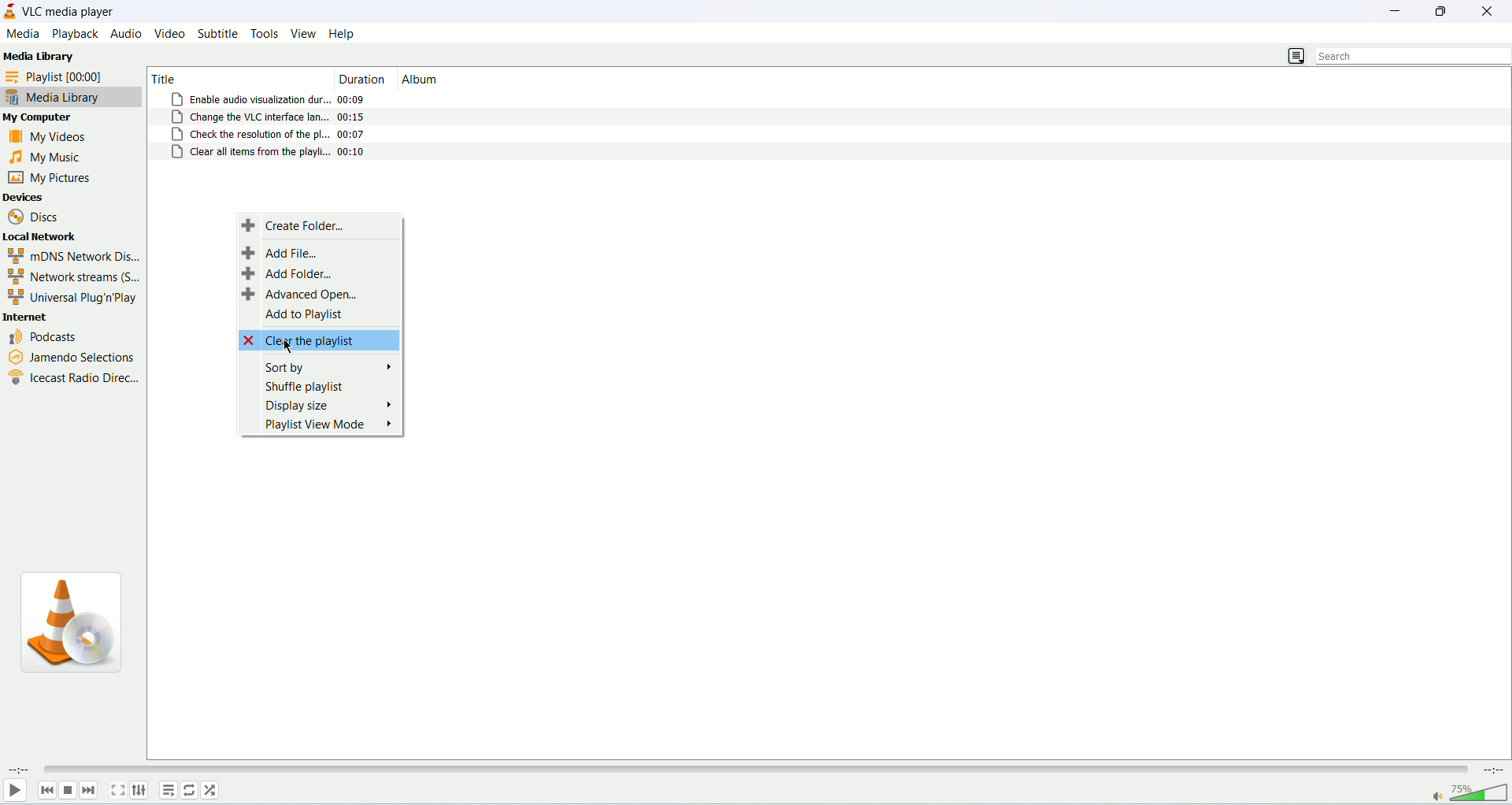  What do you see at coordinates (328, 427) in the screenshot?
I see `playlist view` at bounding box center [328, 427].